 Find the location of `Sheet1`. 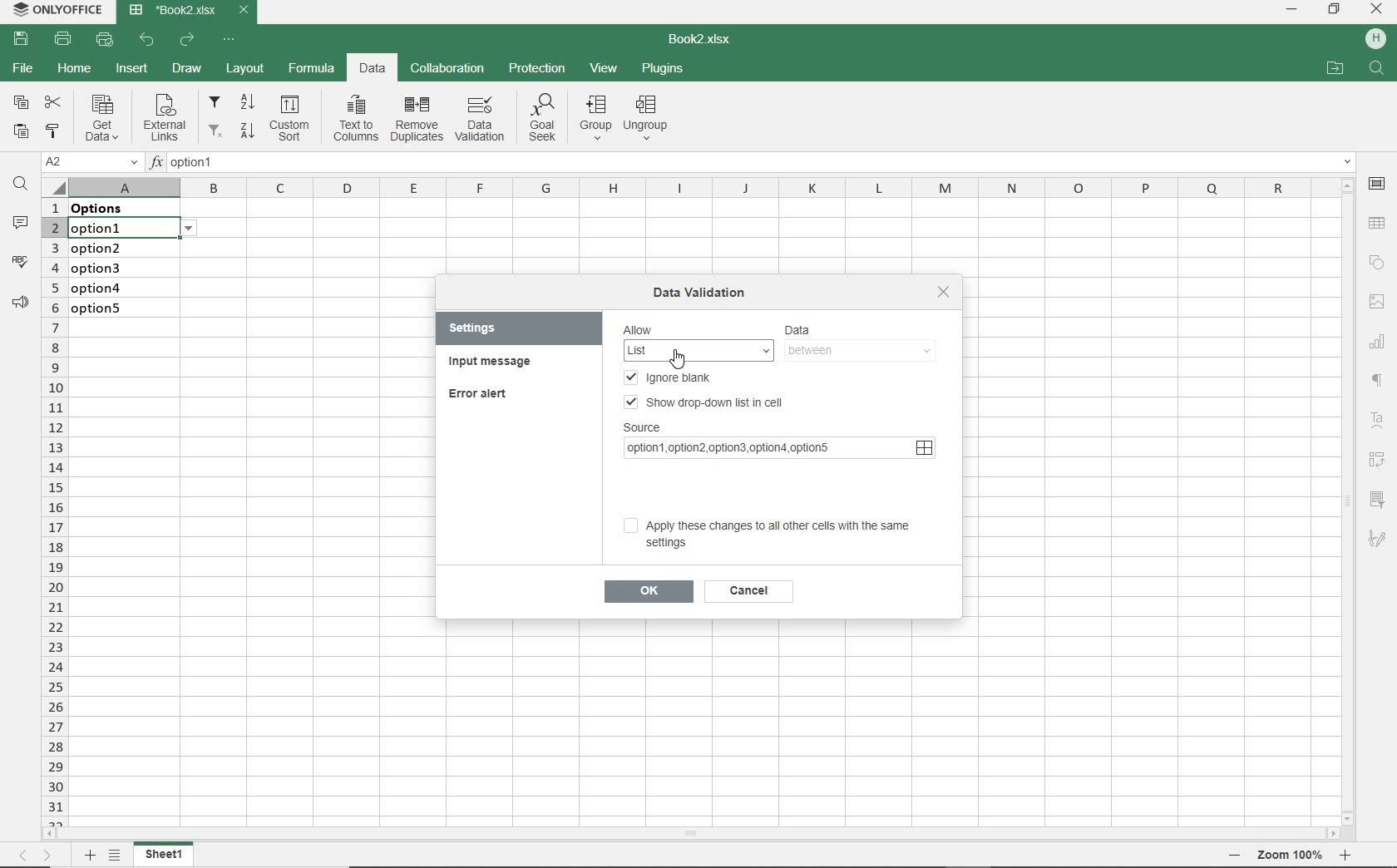

Sheet1 is located at coordinates (161, 855).